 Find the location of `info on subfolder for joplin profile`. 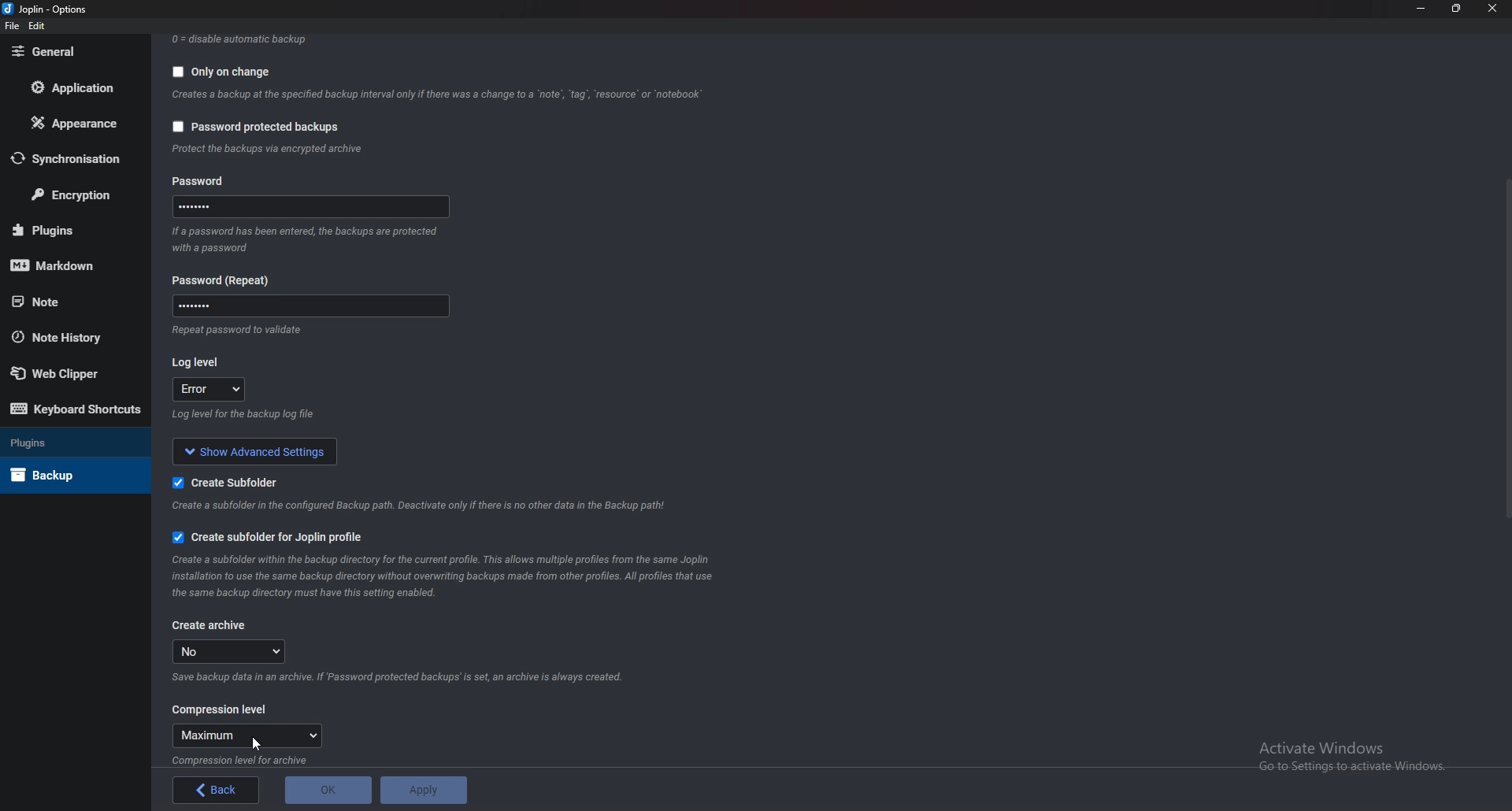

info on subfolder for joplin profile is located at coordinates (454, 575).